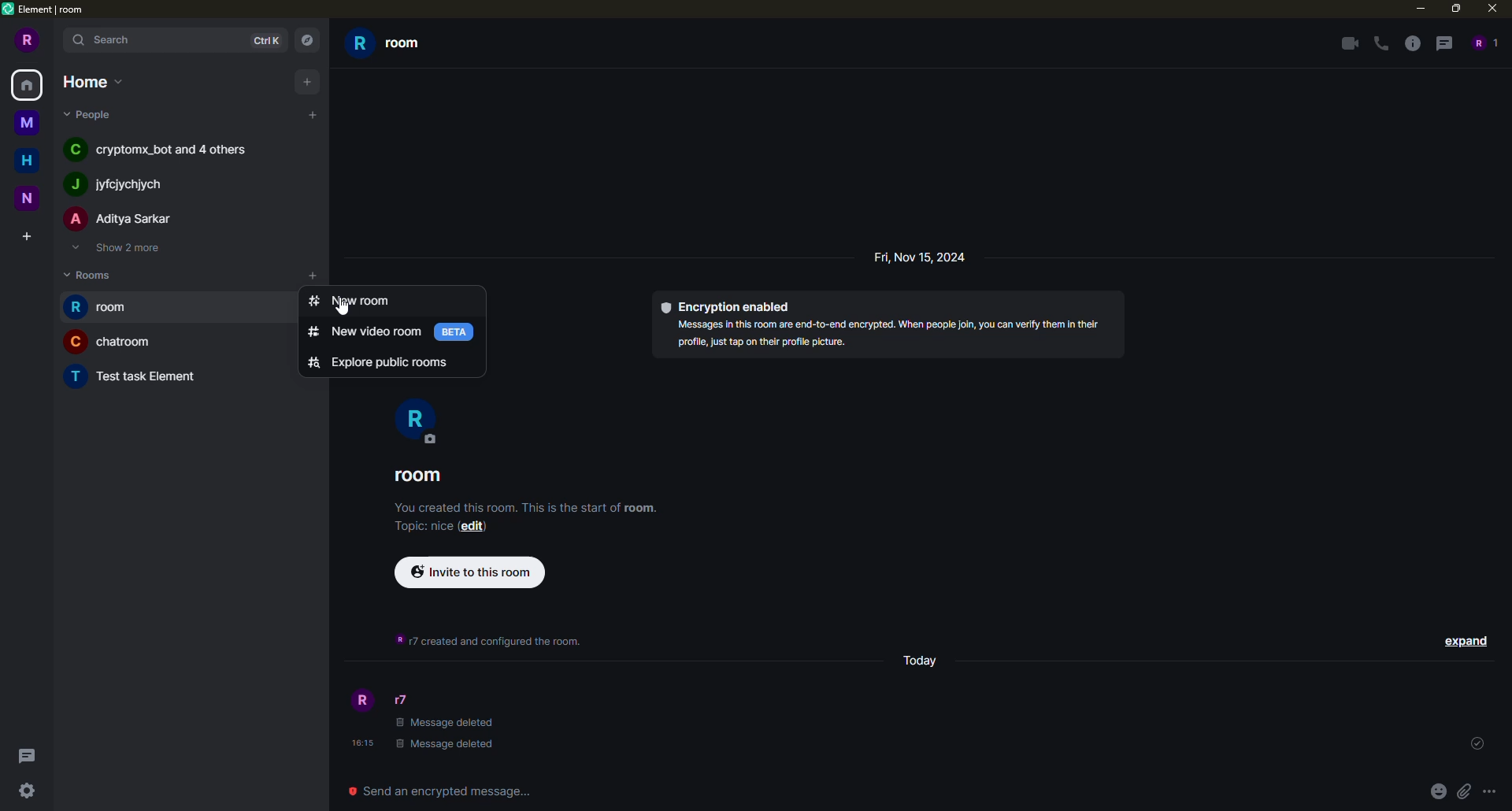 The width and height of the screenshot is (1512, 811). I want to click on space, so click(28, 121).